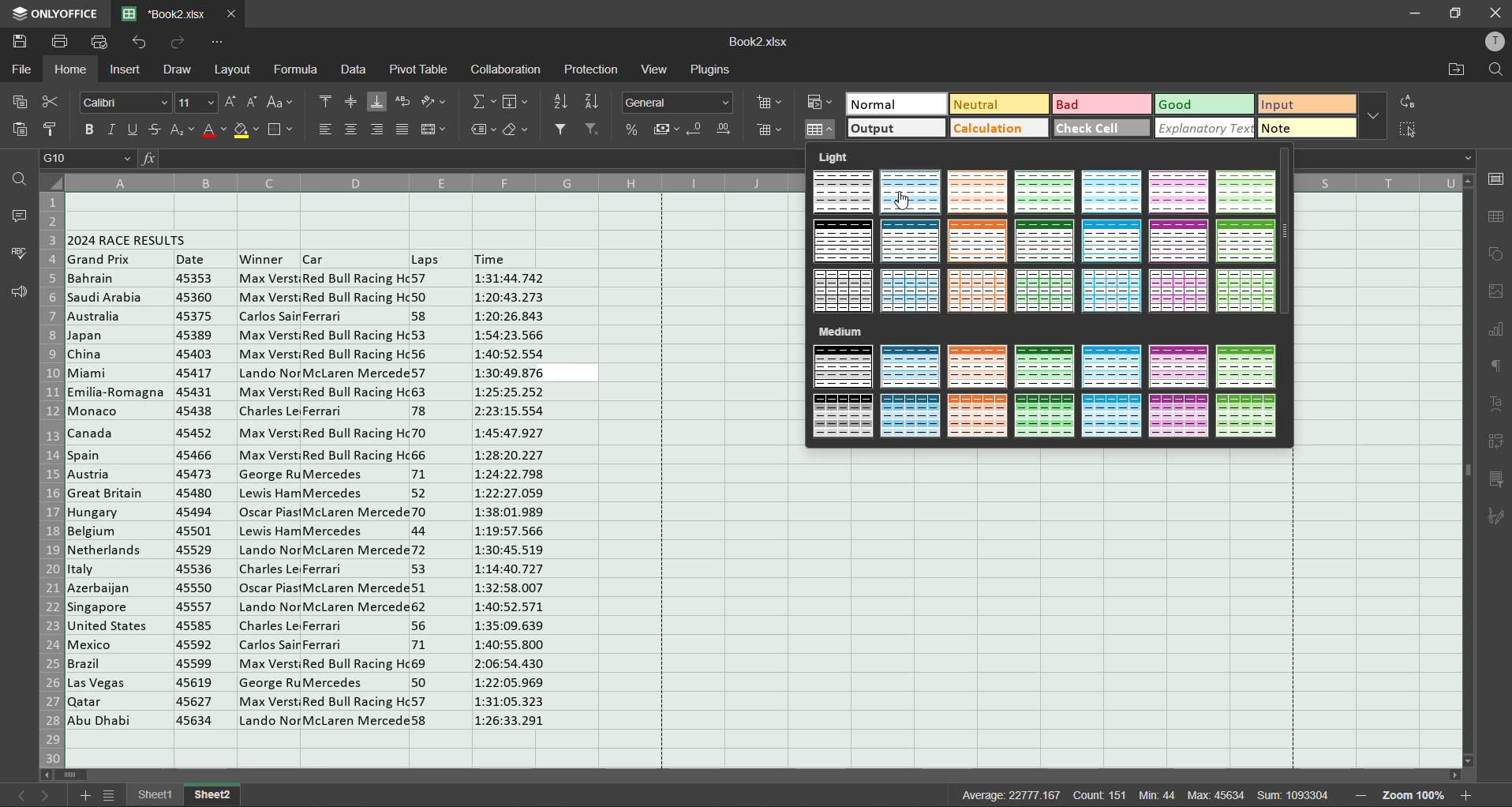 The height and width of the screenshot is (807, 1512). I want to click on redo, so click(174, 43).